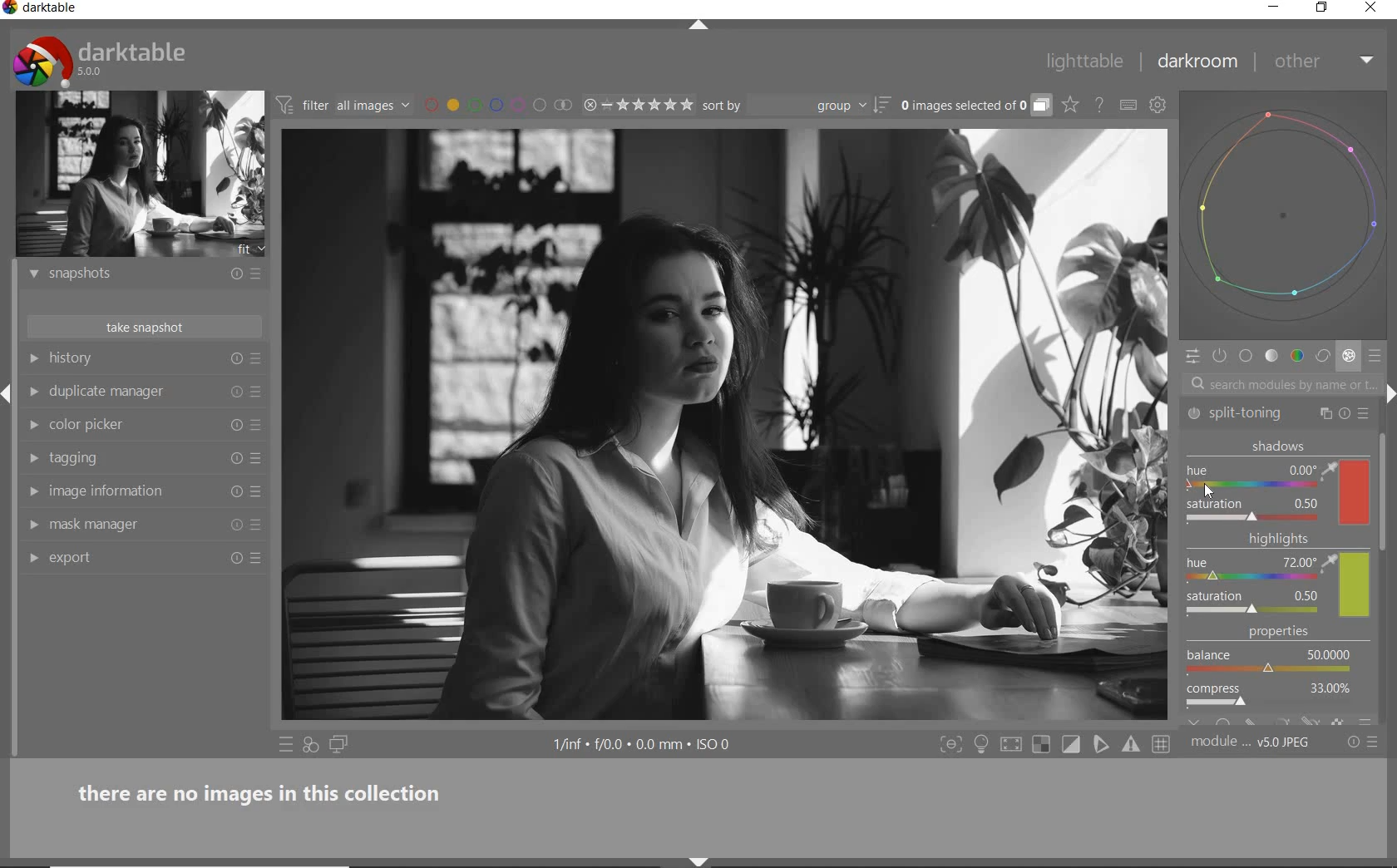  Describe the element at coordinates (1386, 491) in the screenshot. I see `scrollbar` at that location.